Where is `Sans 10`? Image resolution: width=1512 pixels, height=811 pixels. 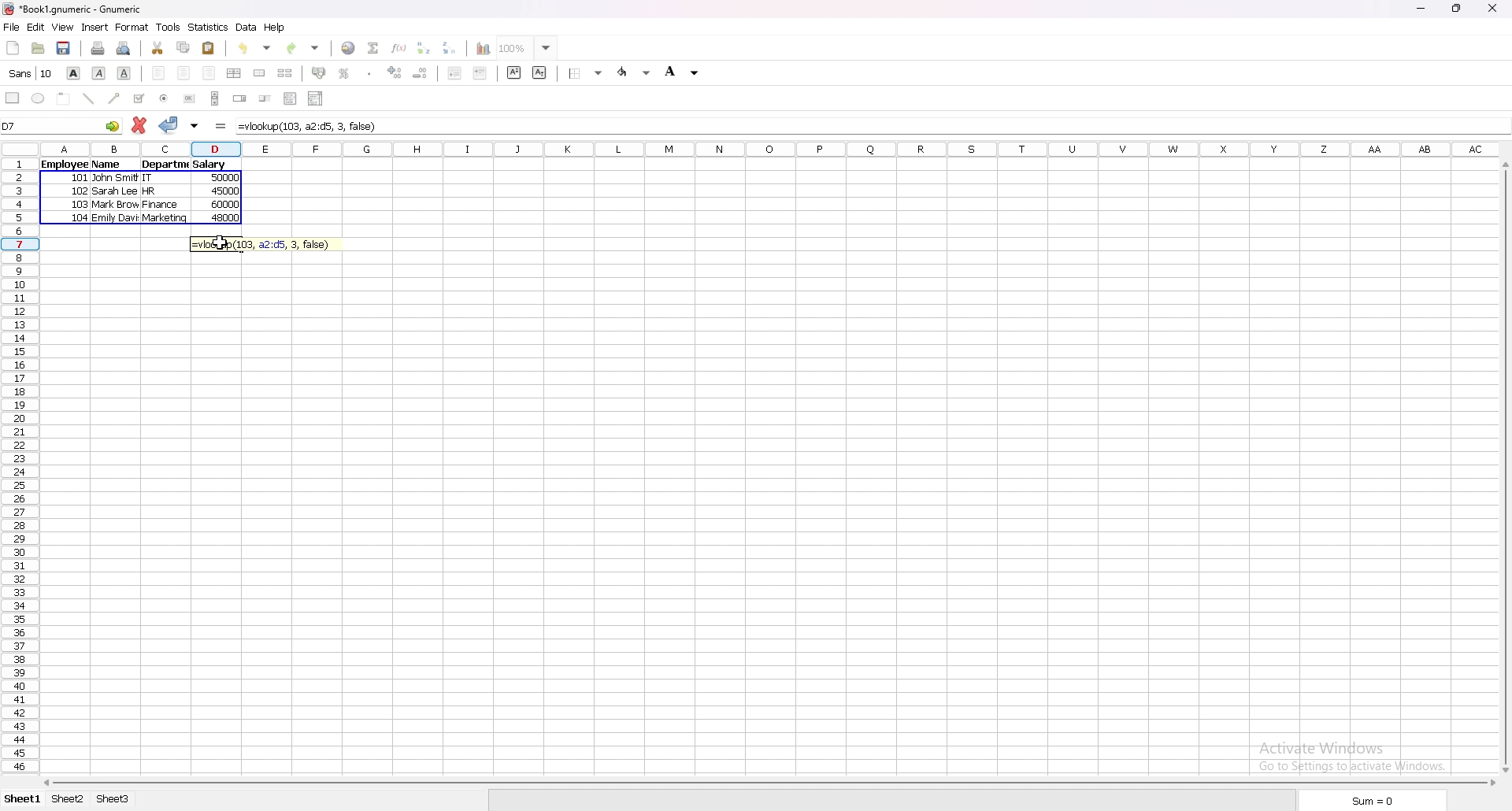 Sans 10 is located at coordinates (29, 74).